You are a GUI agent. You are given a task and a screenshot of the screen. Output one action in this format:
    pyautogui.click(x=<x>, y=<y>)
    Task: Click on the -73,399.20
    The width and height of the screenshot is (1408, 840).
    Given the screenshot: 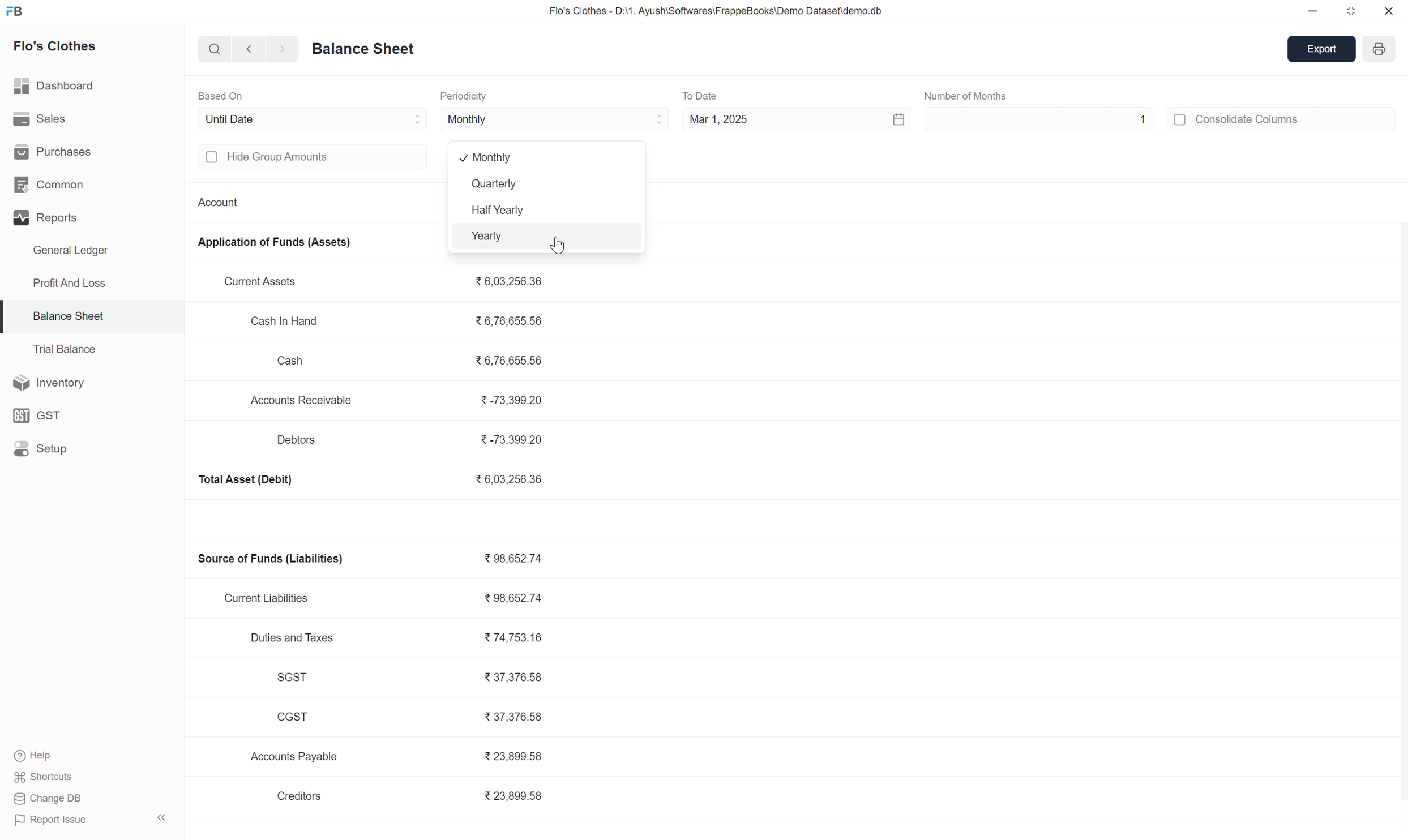 What is the action you would take?
    pyautogui.click(x=519, y=399)
    